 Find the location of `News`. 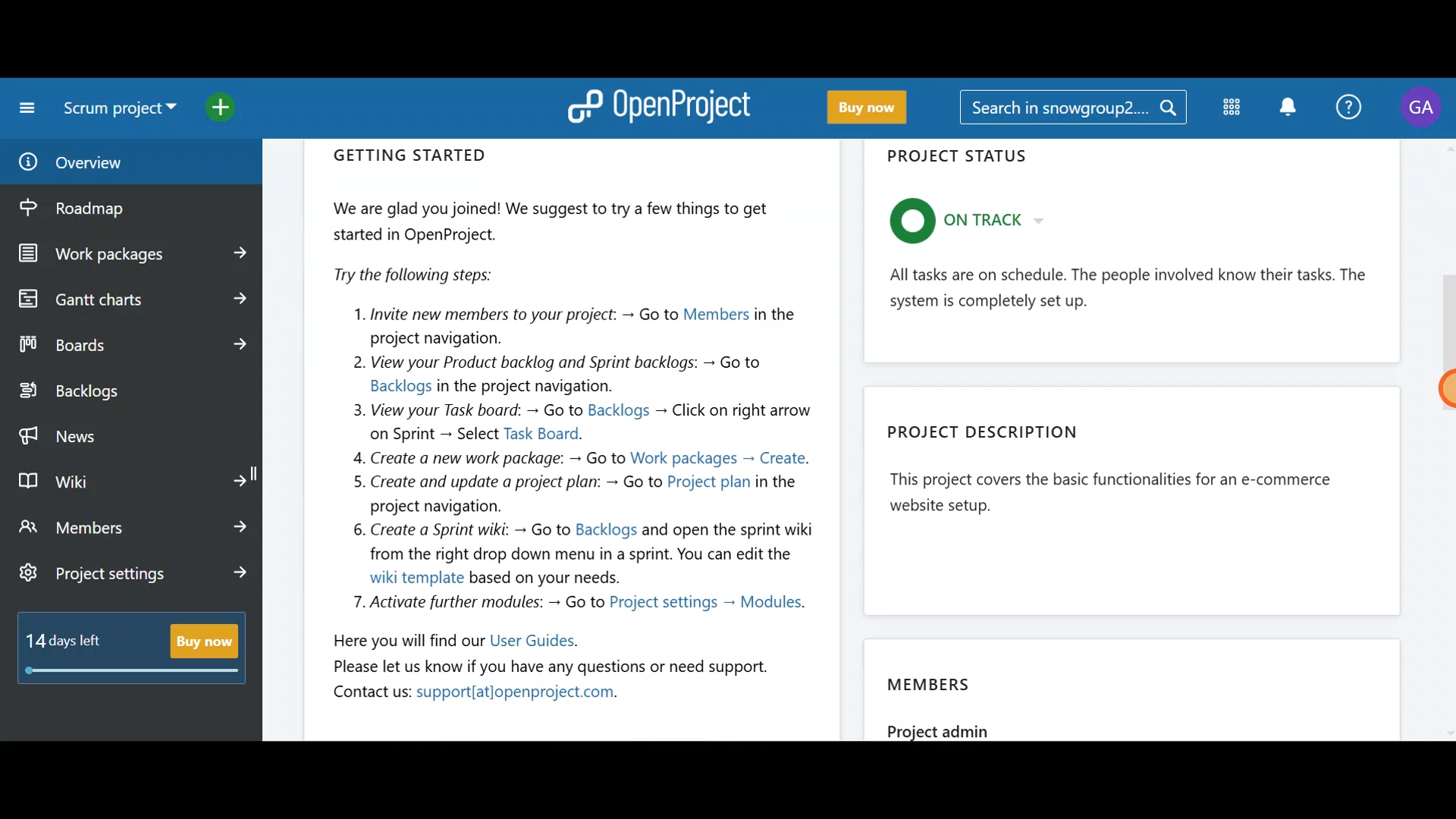

News is located at coordinates (130, 432).